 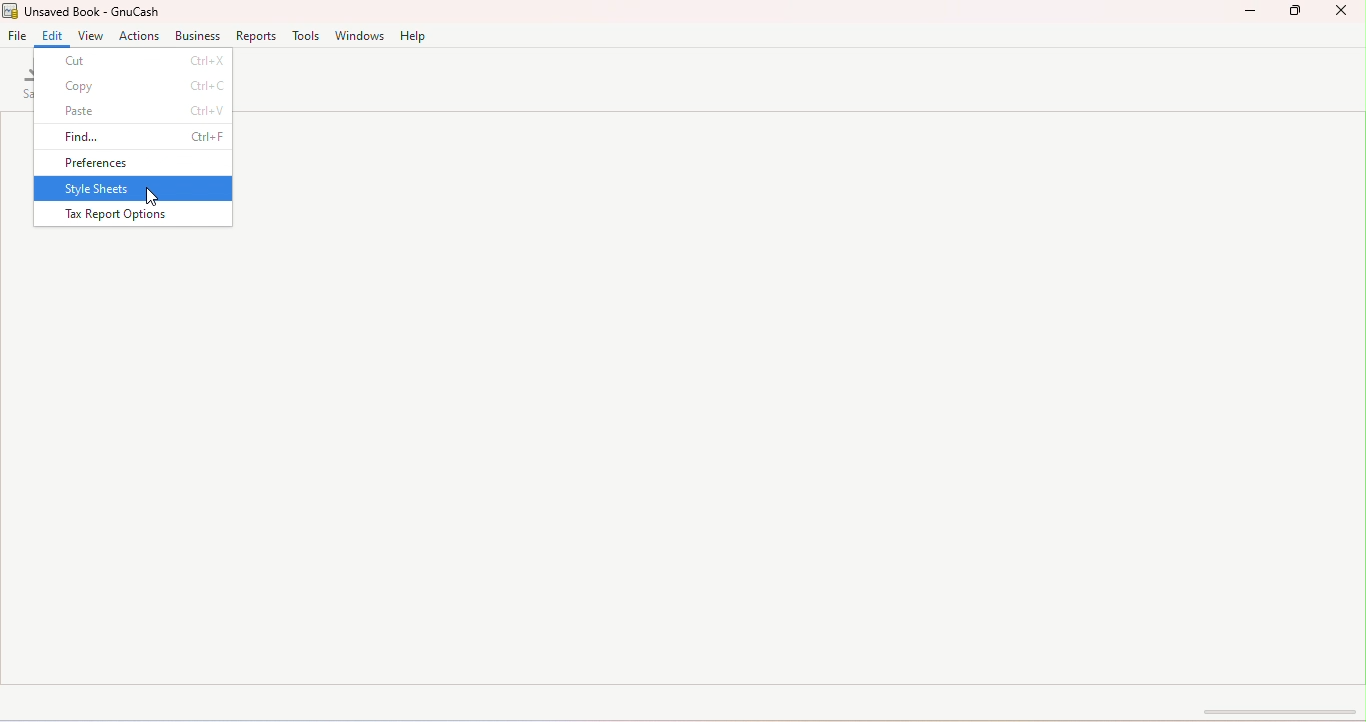 I want to click on Minimize, so click(x=1254, y=12).